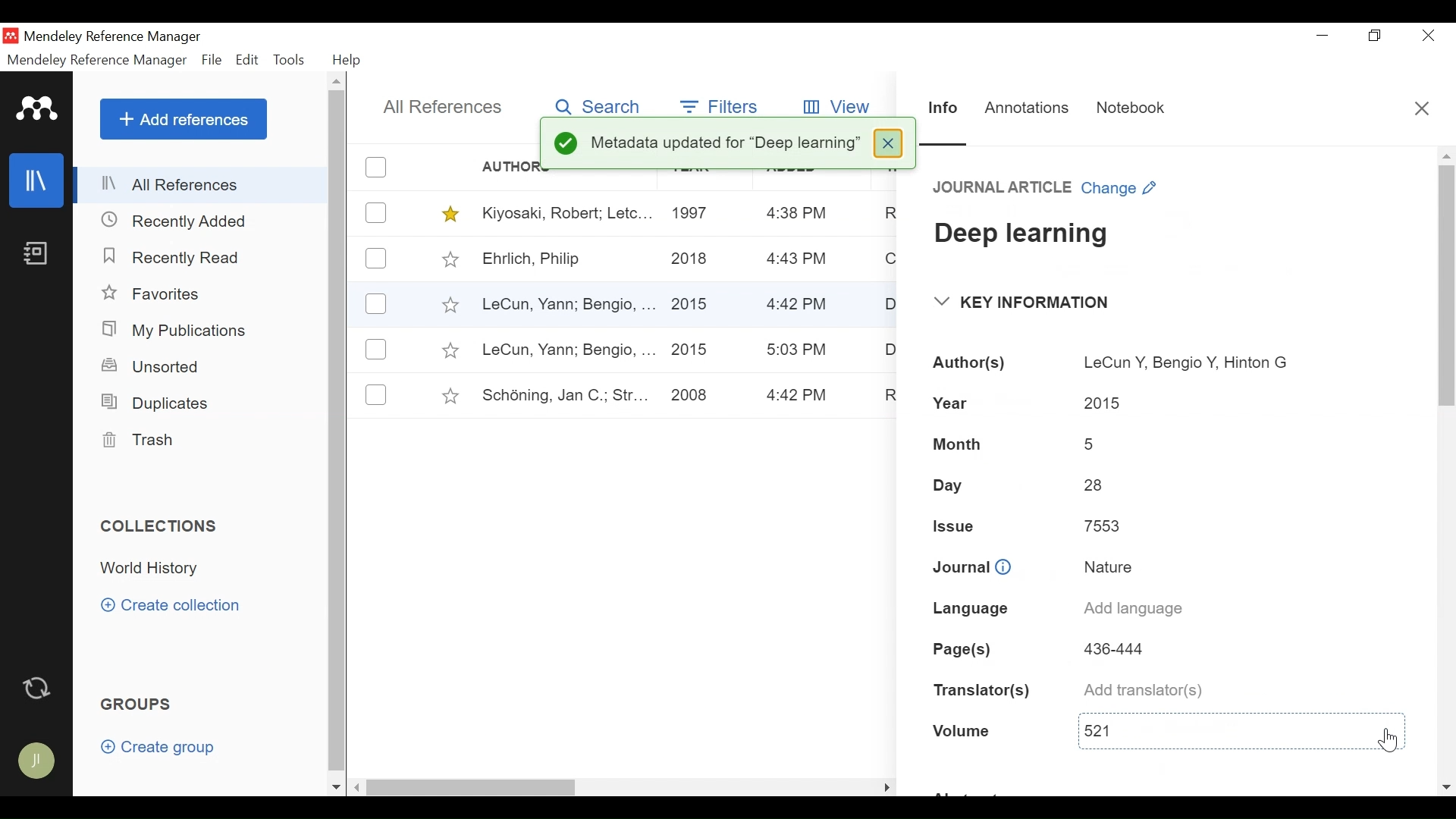 The height and width of the screenshot is (819, 1456). I want to click on Toggle Favorites, so click(449, 304).